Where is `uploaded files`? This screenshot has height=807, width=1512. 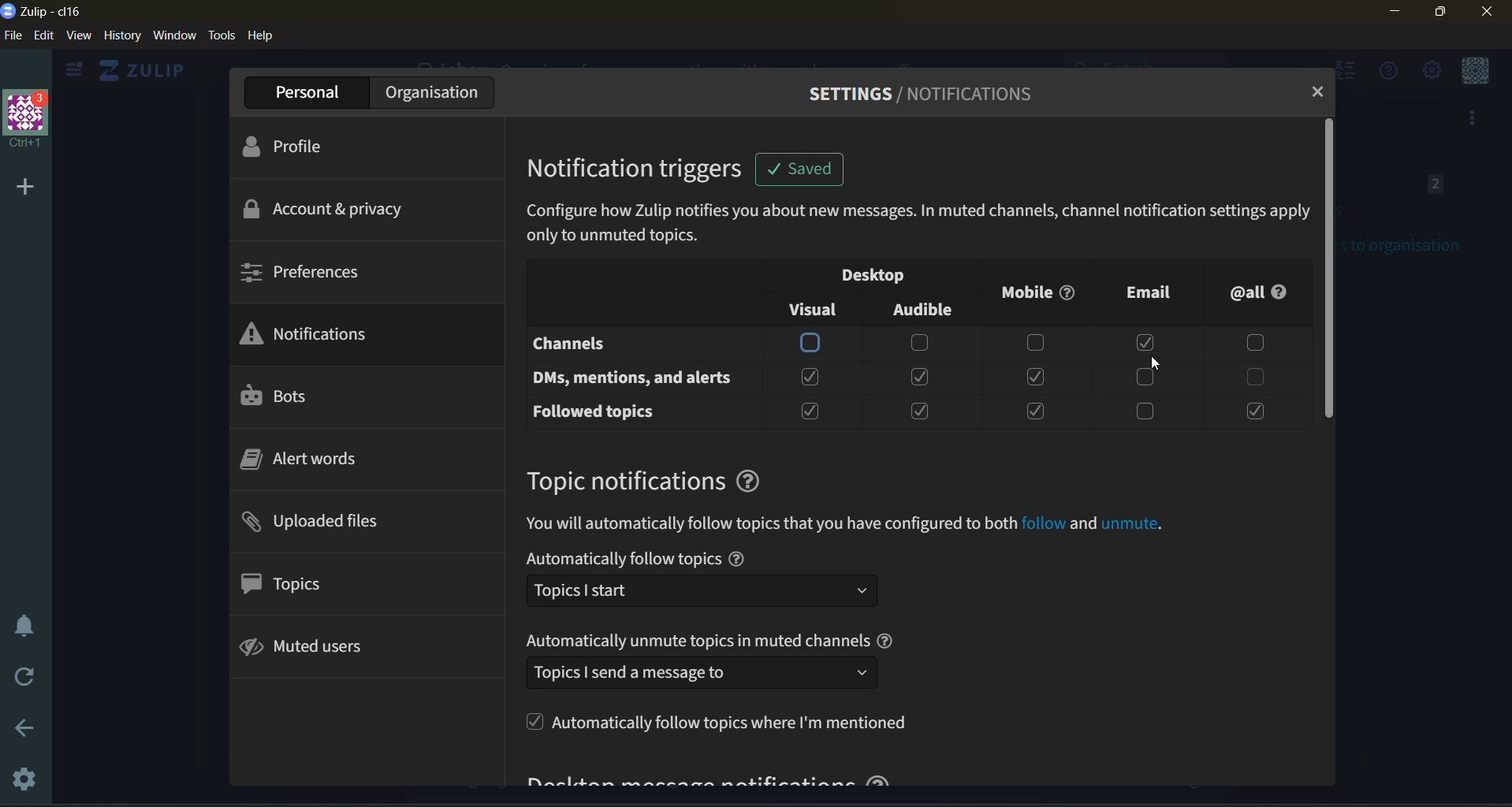
uploaded files is located at coordinates (324, 523).